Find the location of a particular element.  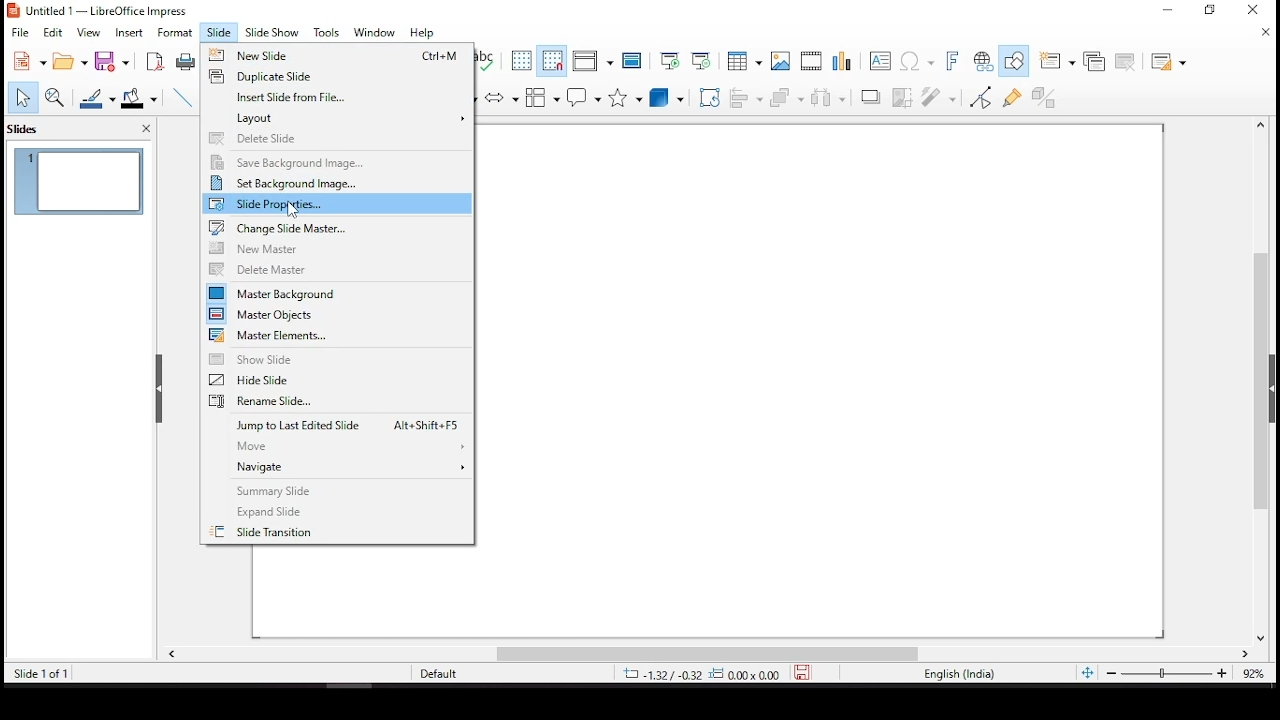

line is located at coordinates (183, 96).